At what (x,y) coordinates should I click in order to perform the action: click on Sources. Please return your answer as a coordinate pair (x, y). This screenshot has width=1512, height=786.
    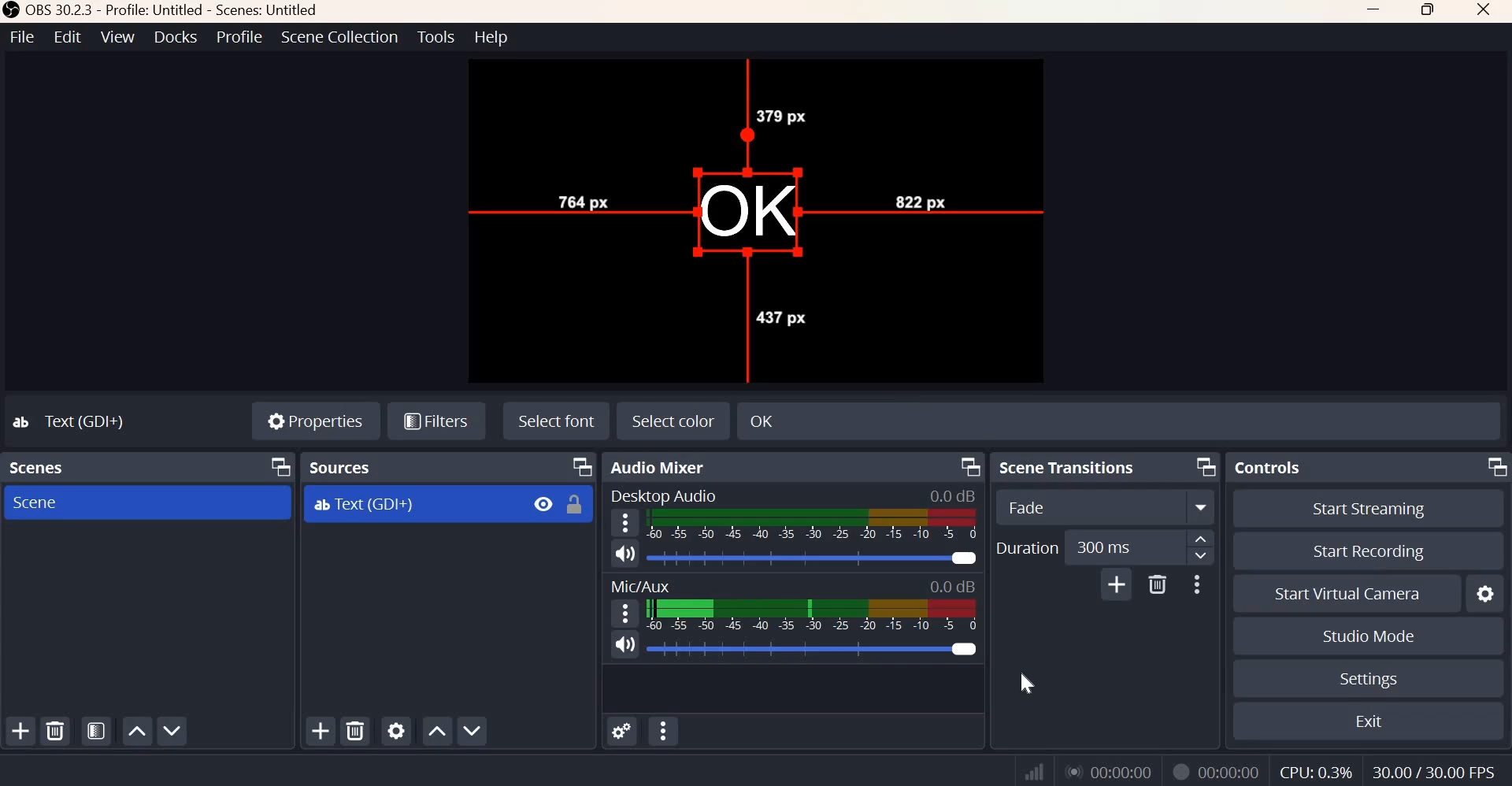
    Looking at the image, I should click on (343, 467).